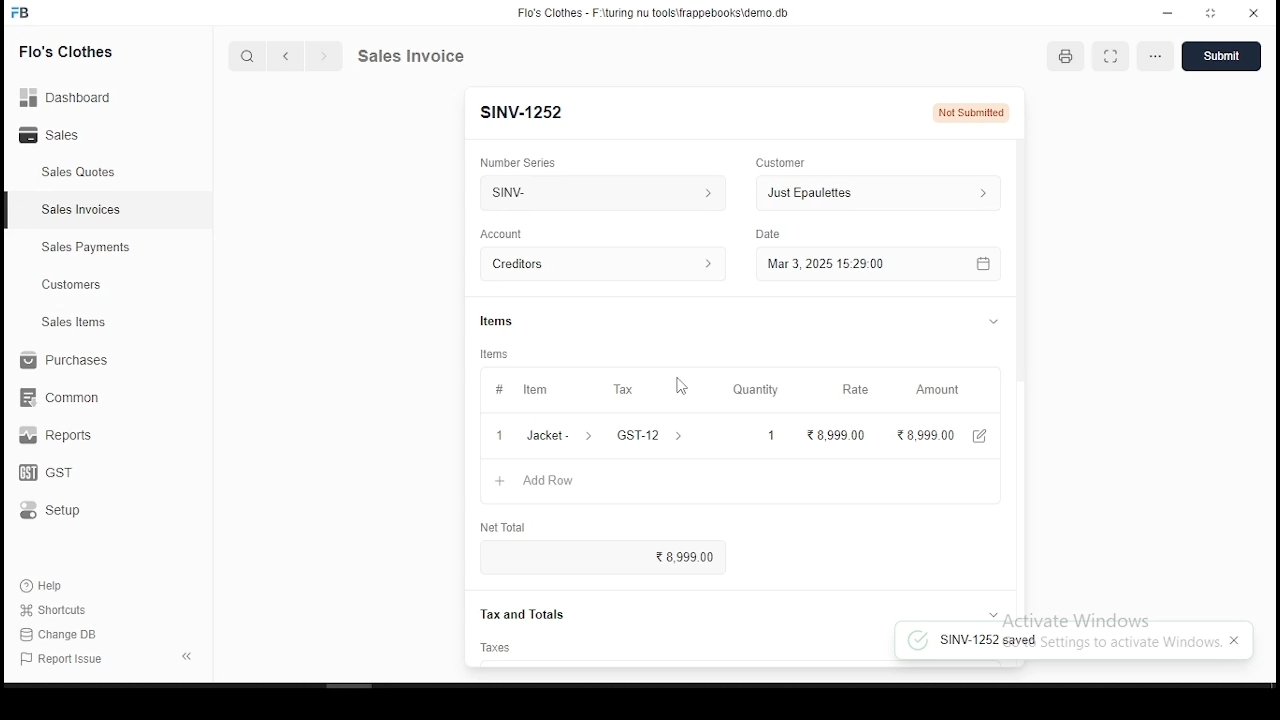  What do you see at coordinates (78, 323) in the screenshot?
I see `ales items` at bounding box center [78, 323].